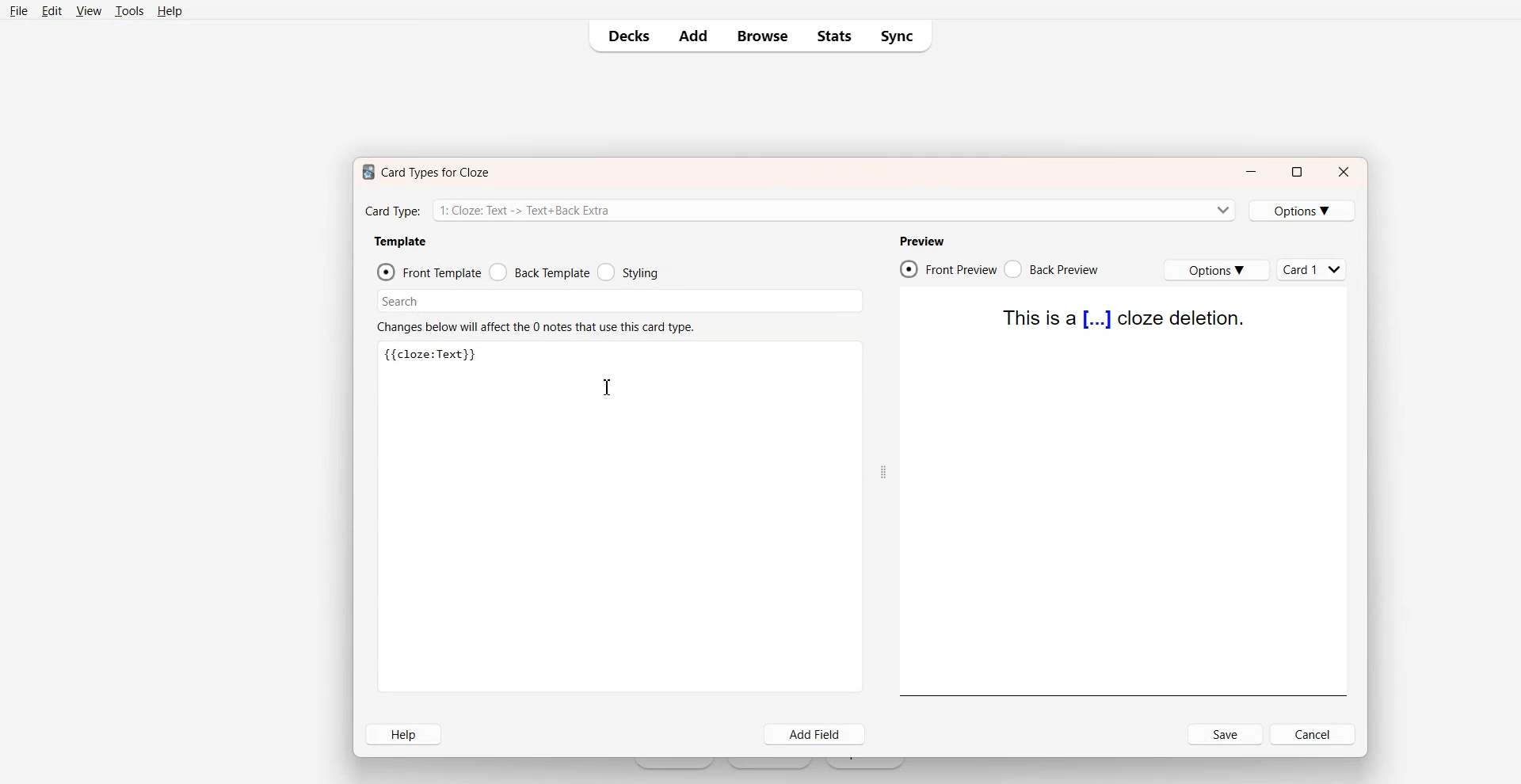 The height and width of the screenshot is (784, 1521). I want to click on Help, so click(402, 734).